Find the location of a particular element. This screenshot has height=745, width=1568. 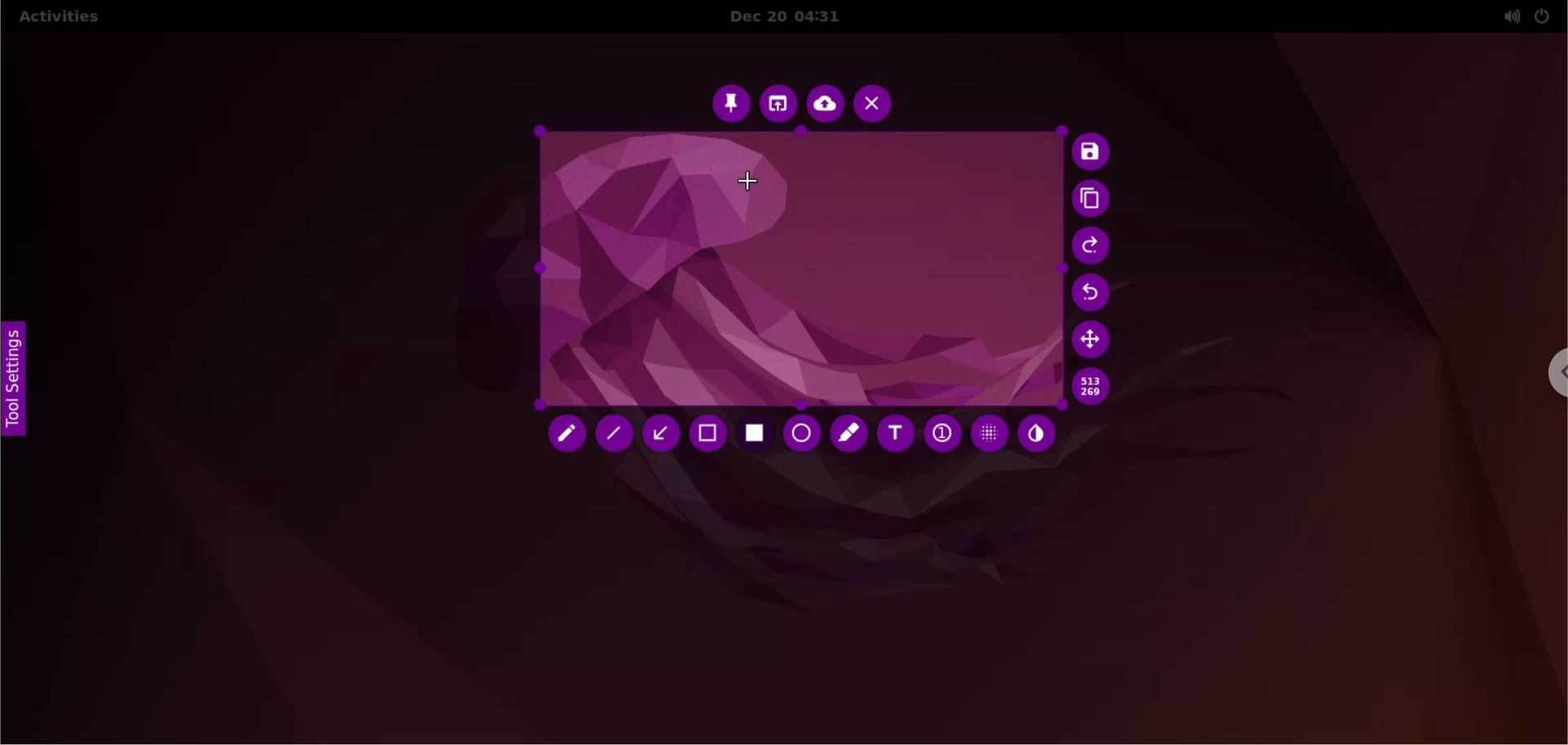

power setting options is located at coordinates (1548, 15).